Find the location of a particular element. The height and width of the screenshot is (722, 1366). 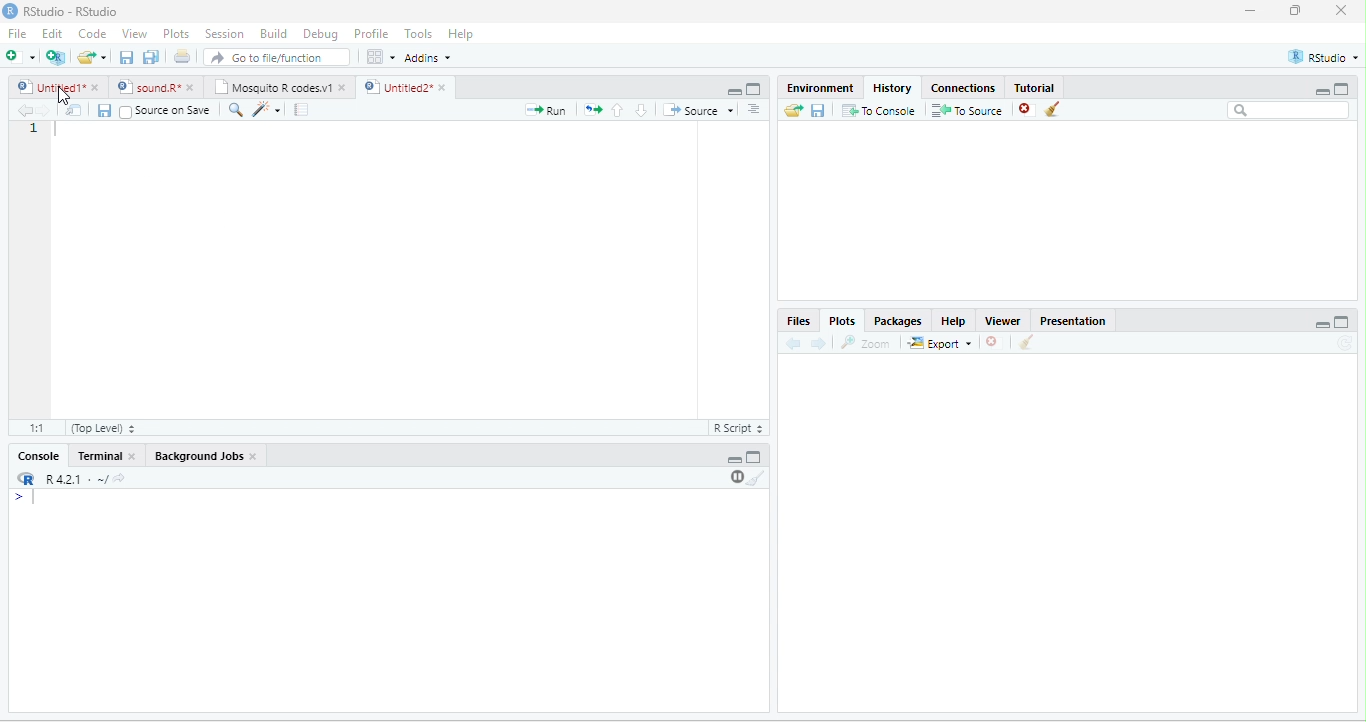

close is located at coordinates (991, 342).